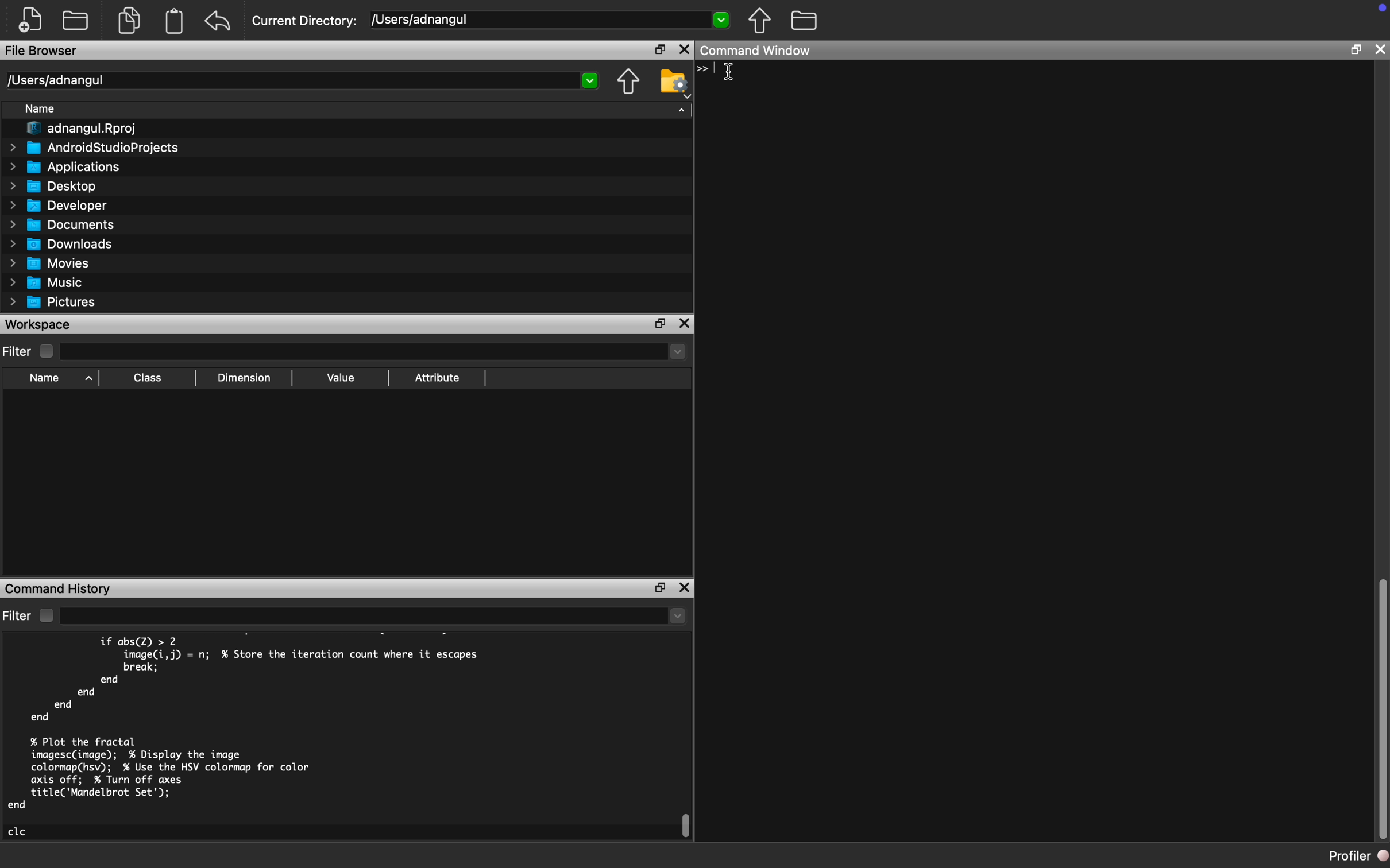  I want to click on /Users/adnangul , so click(549, 21).